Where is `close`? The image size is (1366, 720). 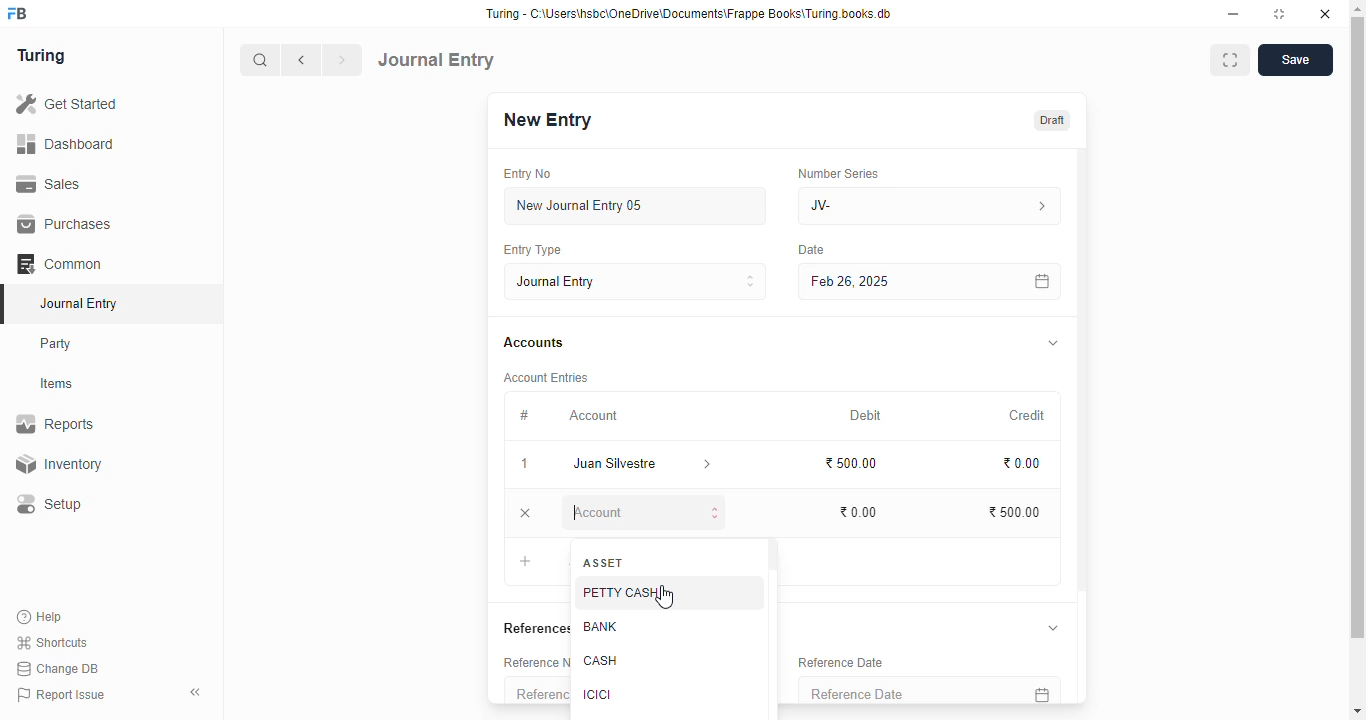 close is located at coordinates (1324, 13).